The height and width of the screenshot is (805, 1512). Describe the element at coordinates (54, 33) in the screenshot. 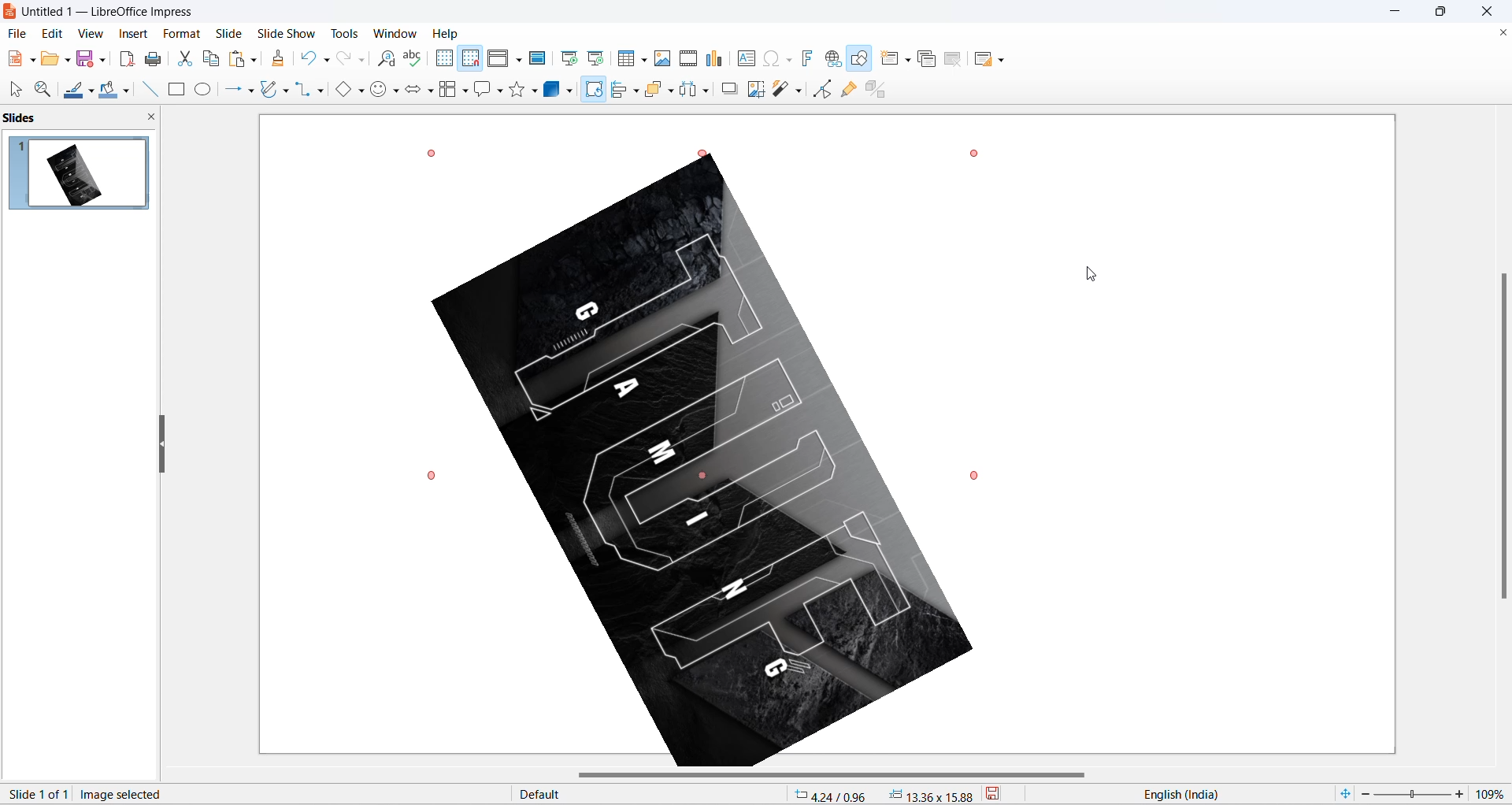

I see `edit` at that location.